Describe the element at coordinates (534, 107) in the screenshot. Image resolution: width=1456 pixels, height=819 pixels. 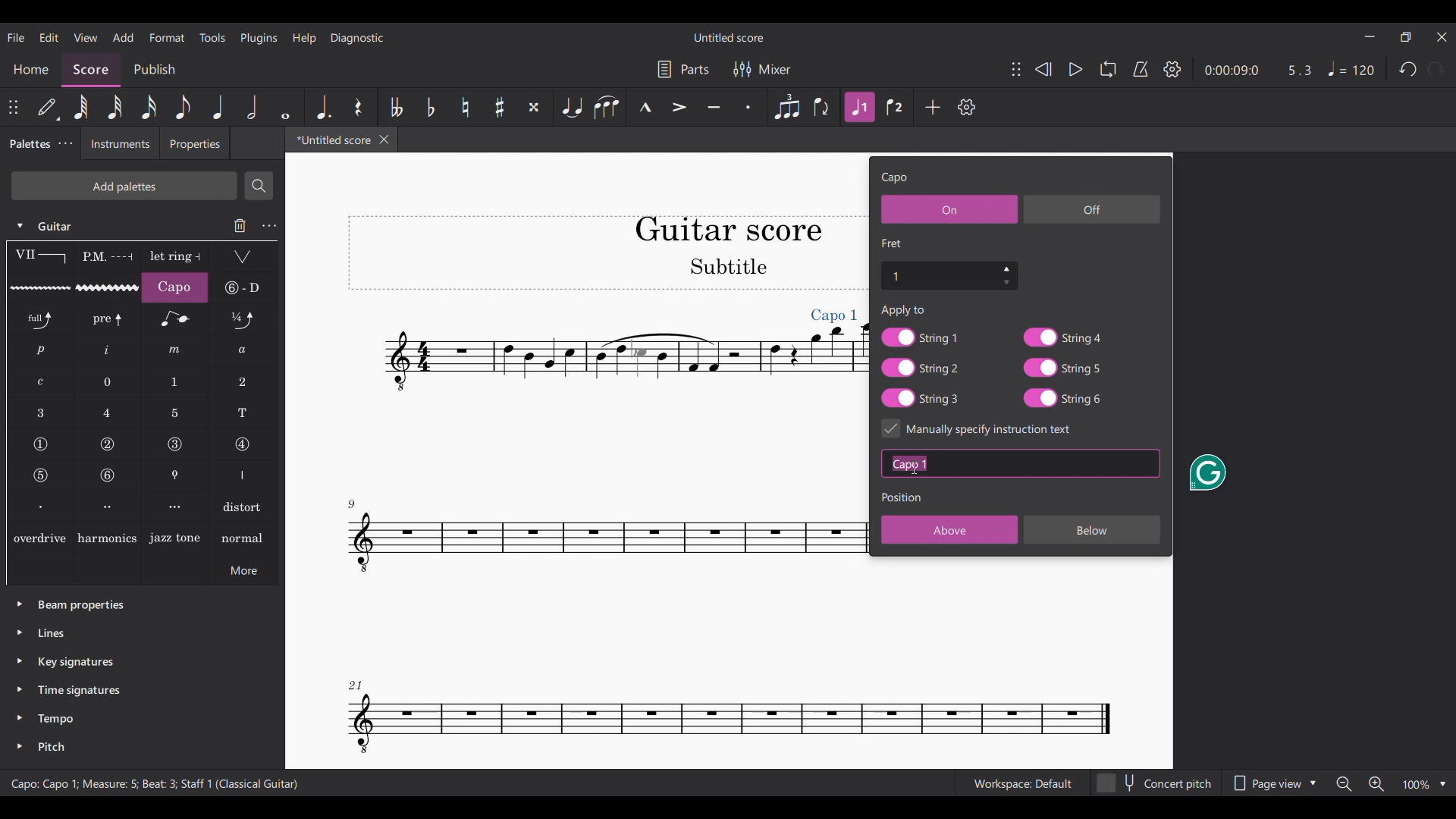
I see `Toggle double sharp` at that location.